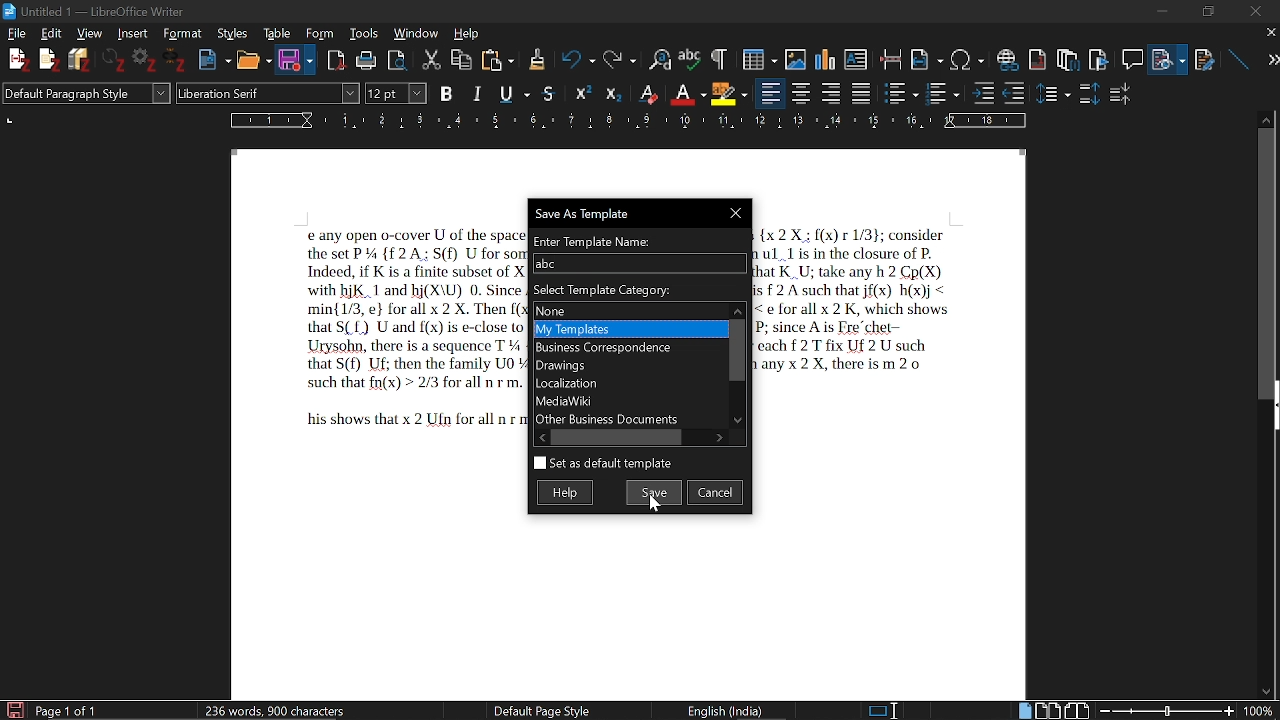 The height and width of the screenshot is (720, 1280). What do you see at coordinates (17, 60) in the screenshot?
I see `New File` at bounding box center [17, 60].